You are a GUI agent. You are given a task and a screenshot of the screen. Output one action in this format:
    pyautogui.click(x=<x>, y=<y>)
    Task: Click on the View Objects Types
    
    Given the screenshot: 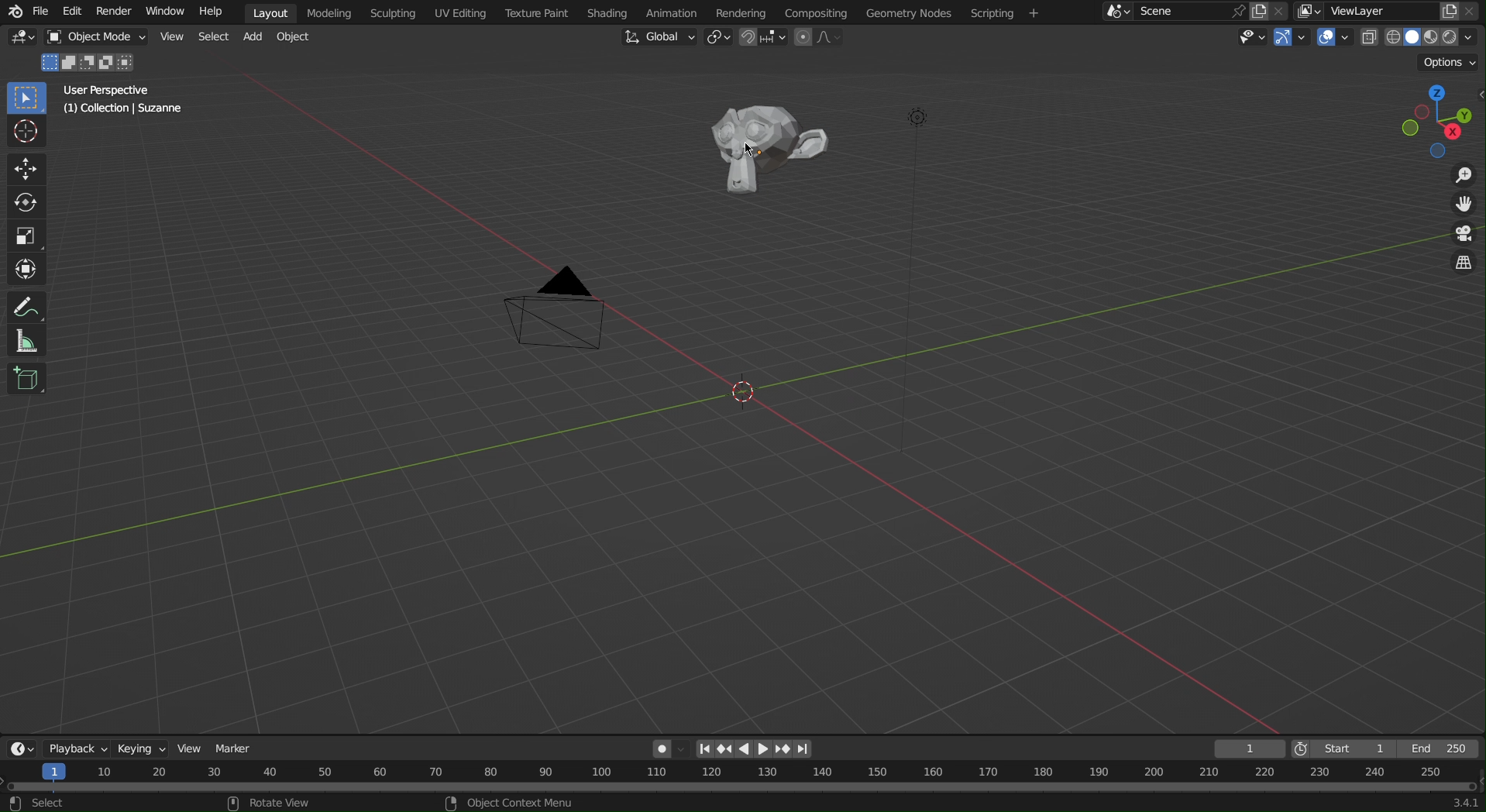 What is the action you would take?
    pyautogui.click(x=1254, y=36)
    